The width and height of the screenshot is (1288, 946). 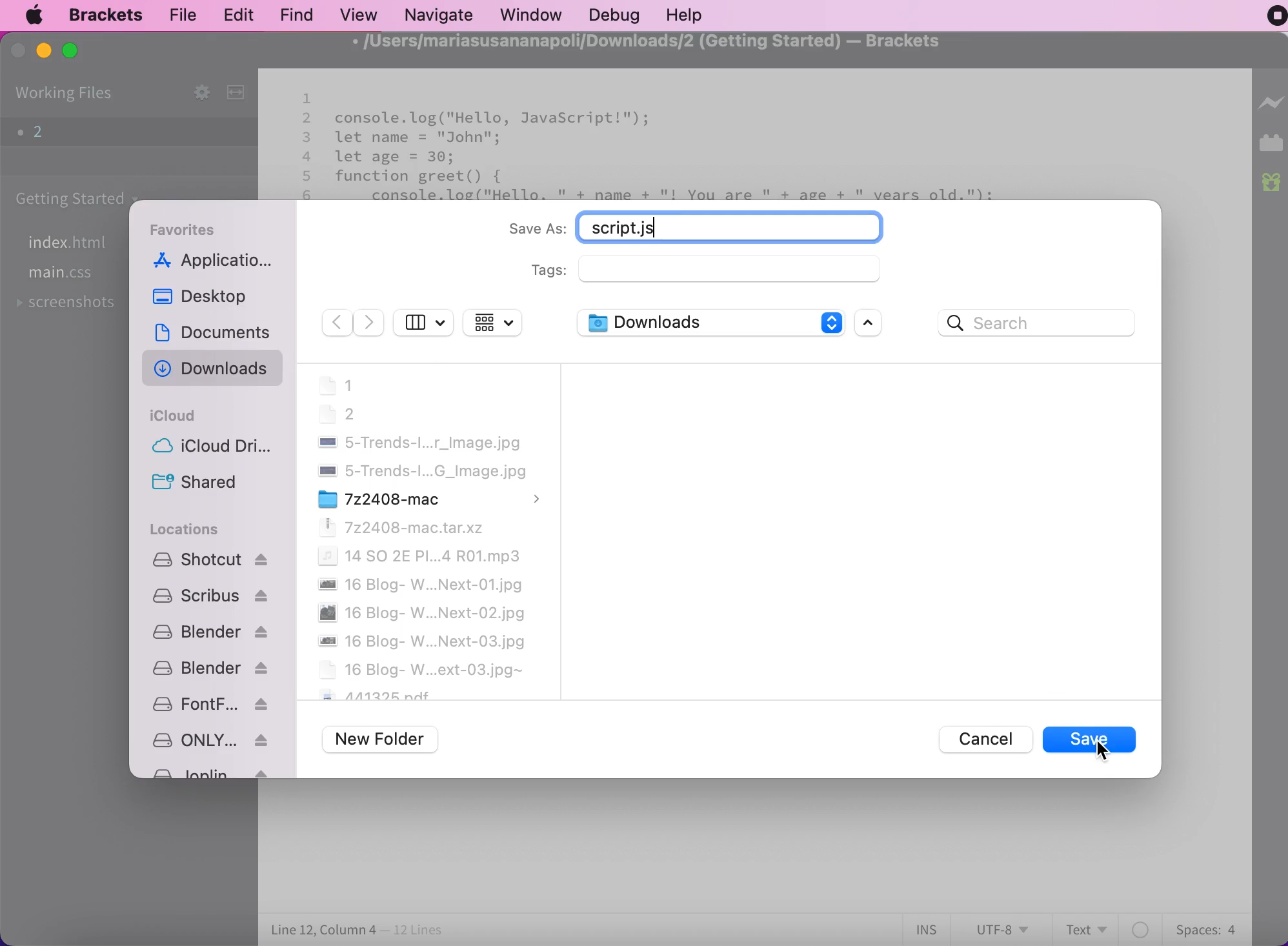 What do you see at coordinates (79, 52) in the screenshot?
I see `maximize` at bounding box center [79, 52].